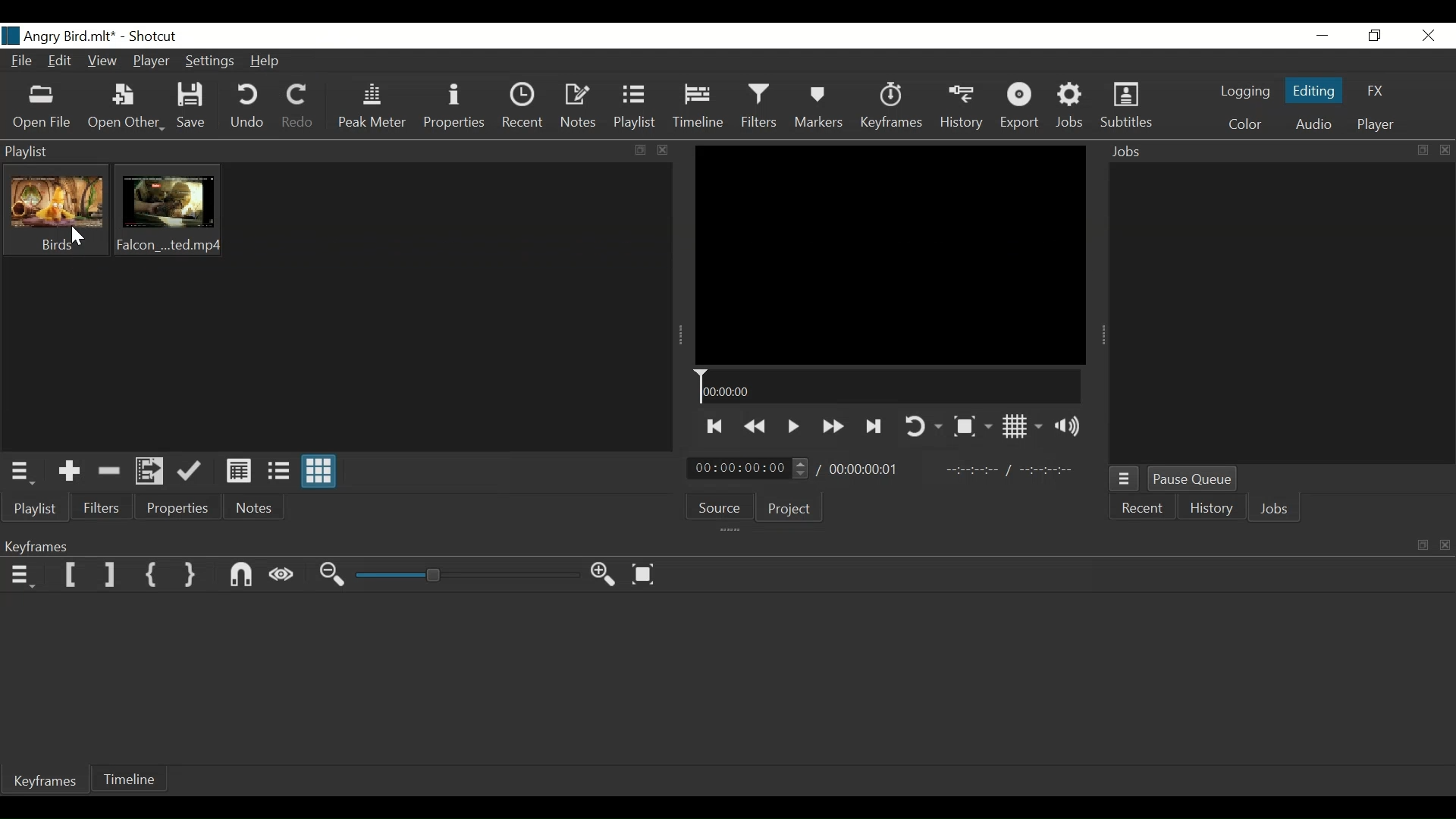 This screenshot has width=1456, height=819. I want to click on Markers, so click(823, 108).